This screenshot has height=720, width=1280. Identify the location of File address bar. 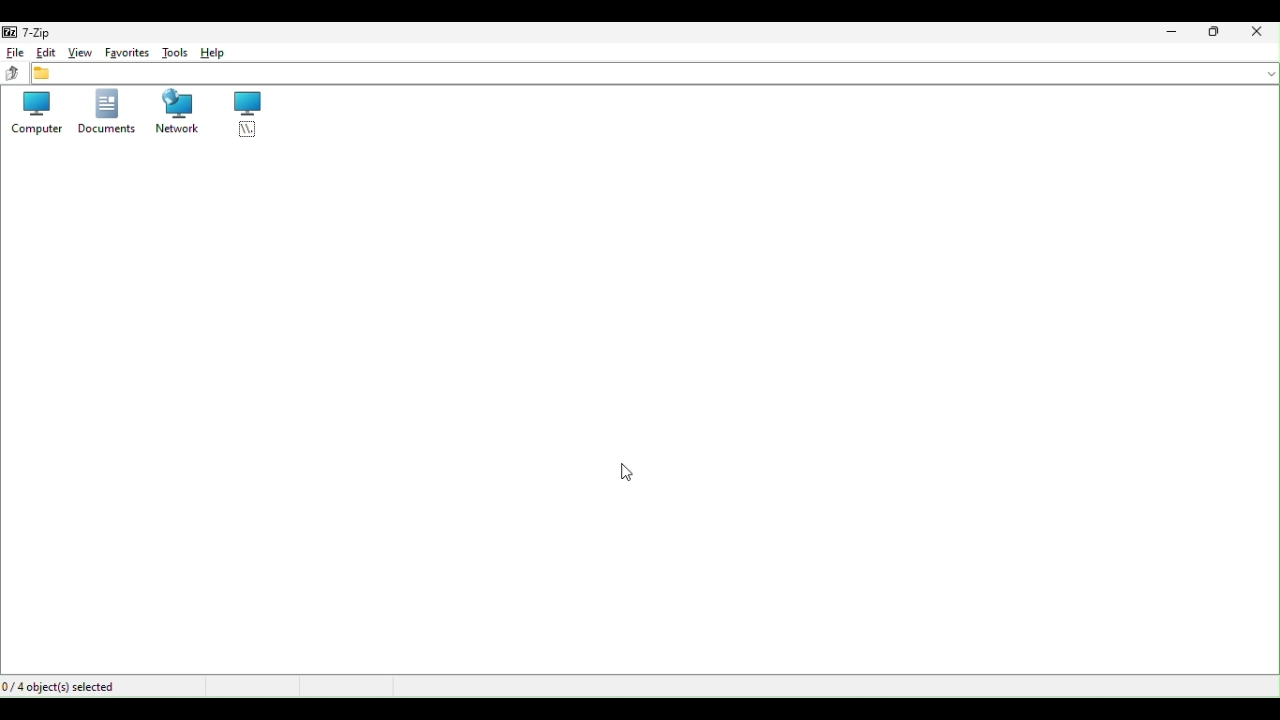
(656, 72).